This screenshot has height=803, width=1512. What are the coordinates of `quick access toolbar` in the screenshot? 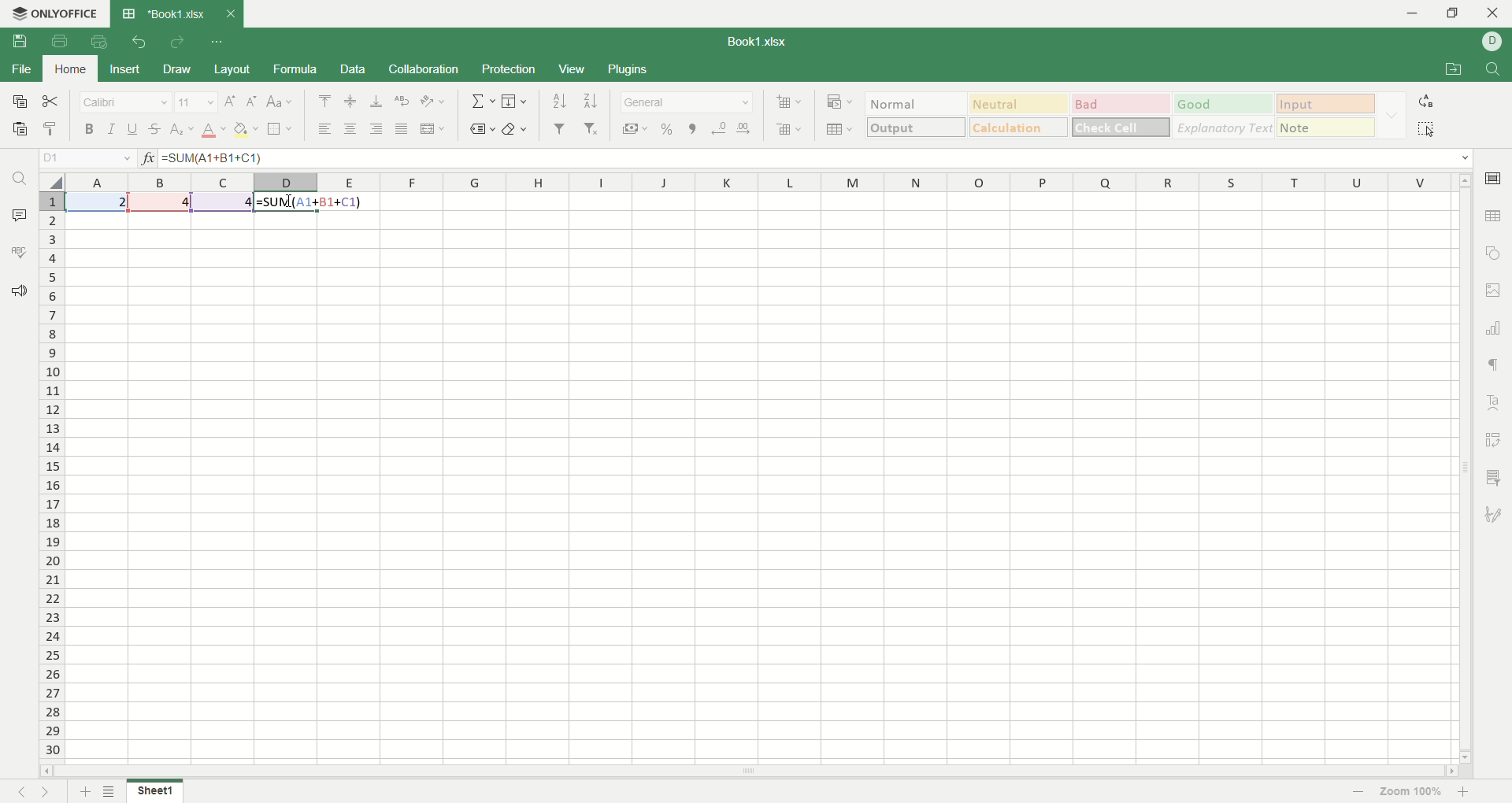 It's located at (219, 42).